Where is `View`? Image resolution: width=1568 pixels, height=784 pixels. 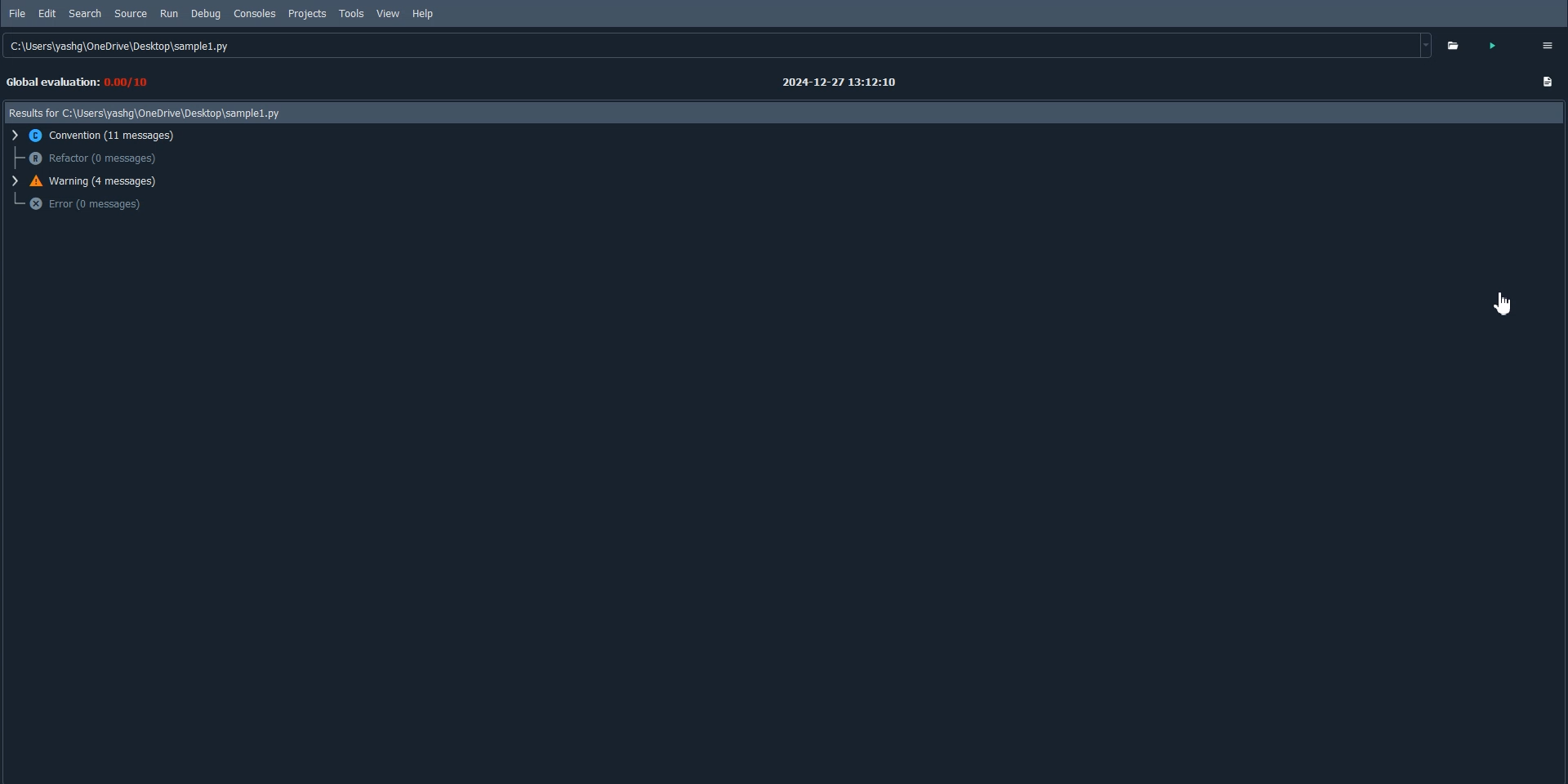
View is located at coordinates (388, 13).